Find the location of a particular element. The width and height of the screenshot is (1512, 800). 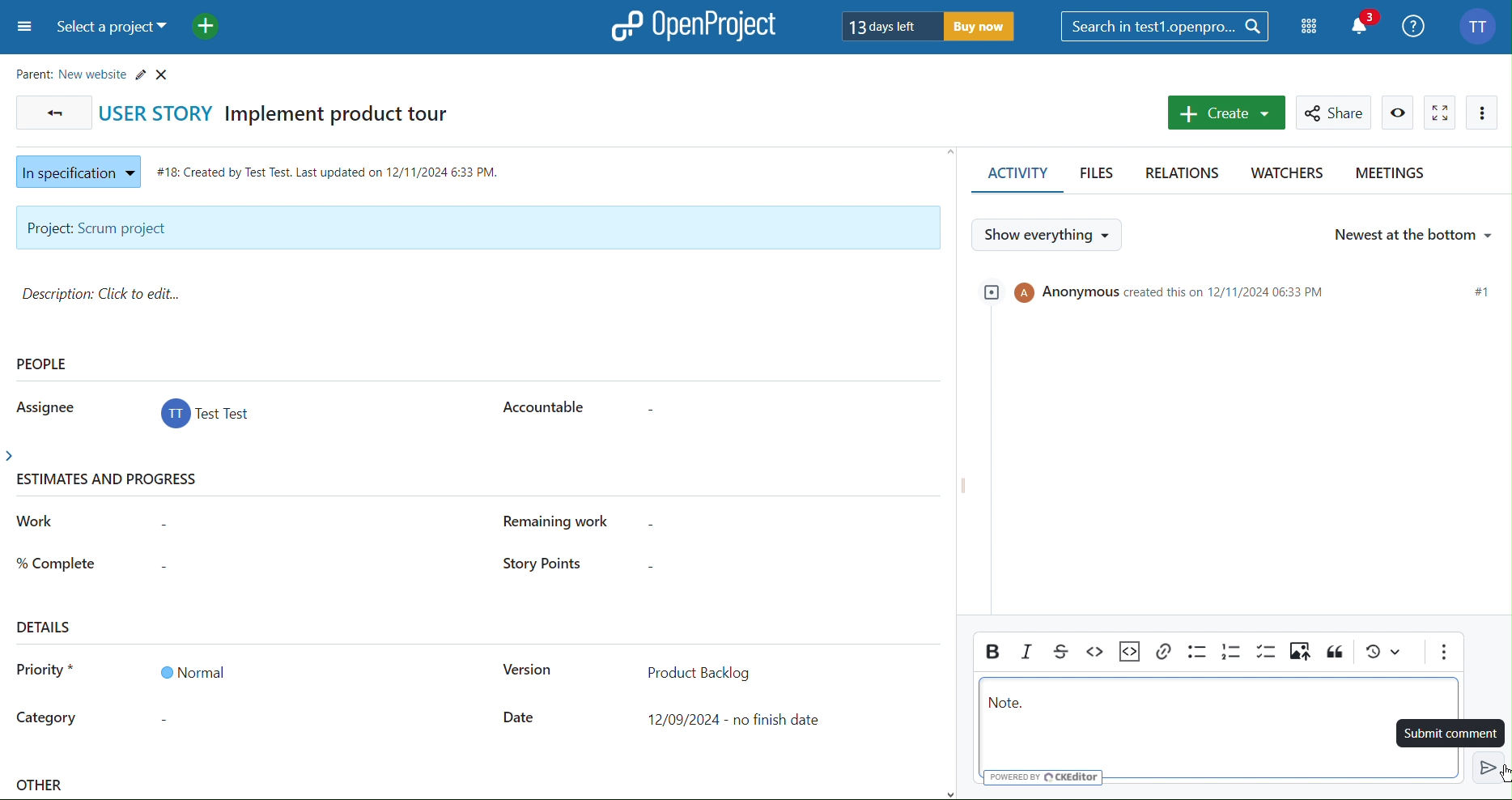

More is located at coordinates (1483, 113).